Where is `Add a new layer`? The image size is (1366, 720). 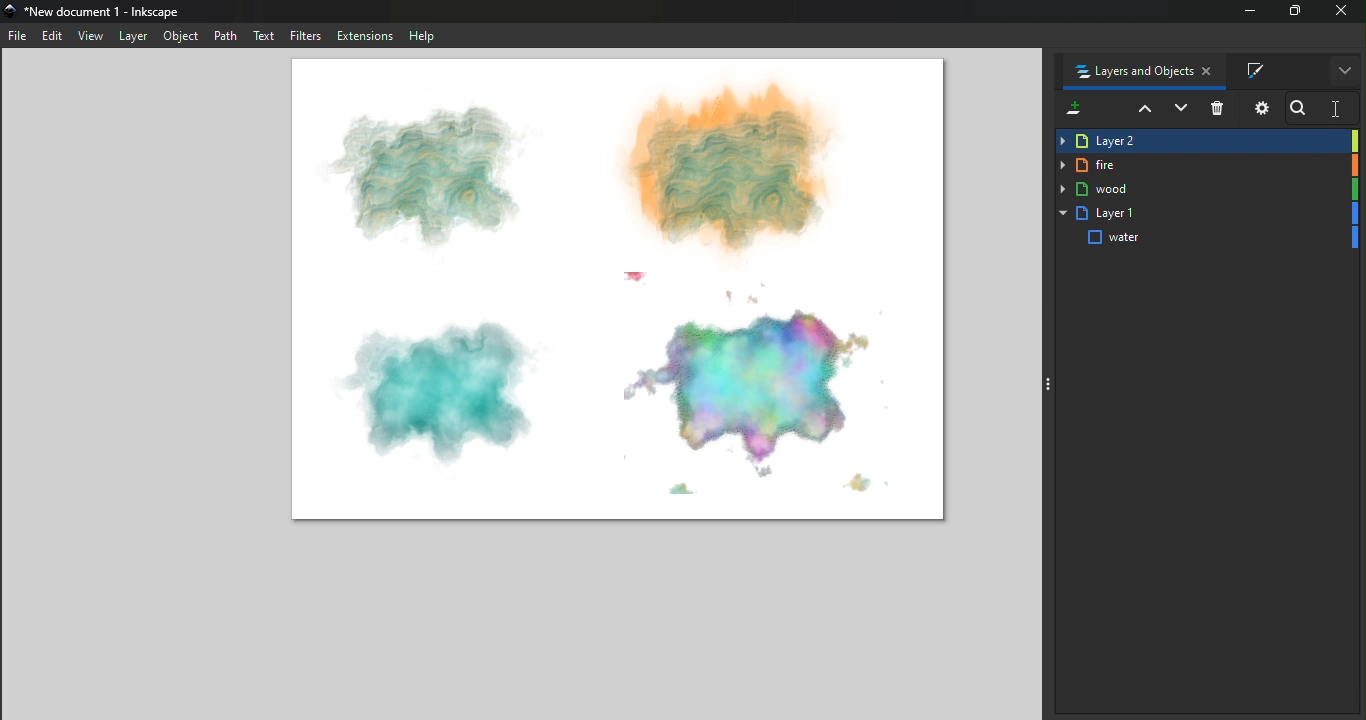 Add a new layer is located at coordinates (1072, 111).